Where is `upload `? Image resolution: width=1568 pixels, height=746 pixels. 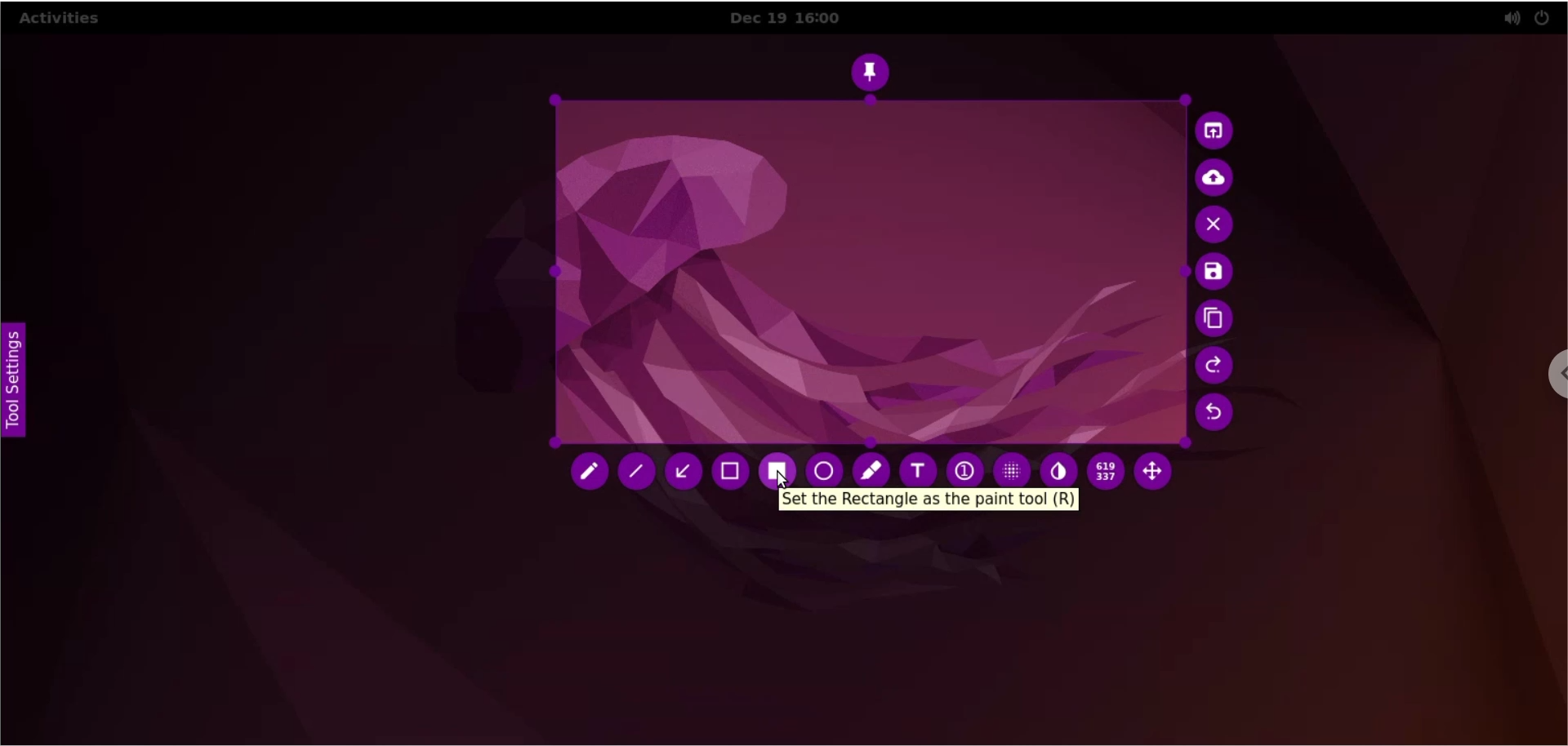 upload  is located at coordinates (1221, 178).